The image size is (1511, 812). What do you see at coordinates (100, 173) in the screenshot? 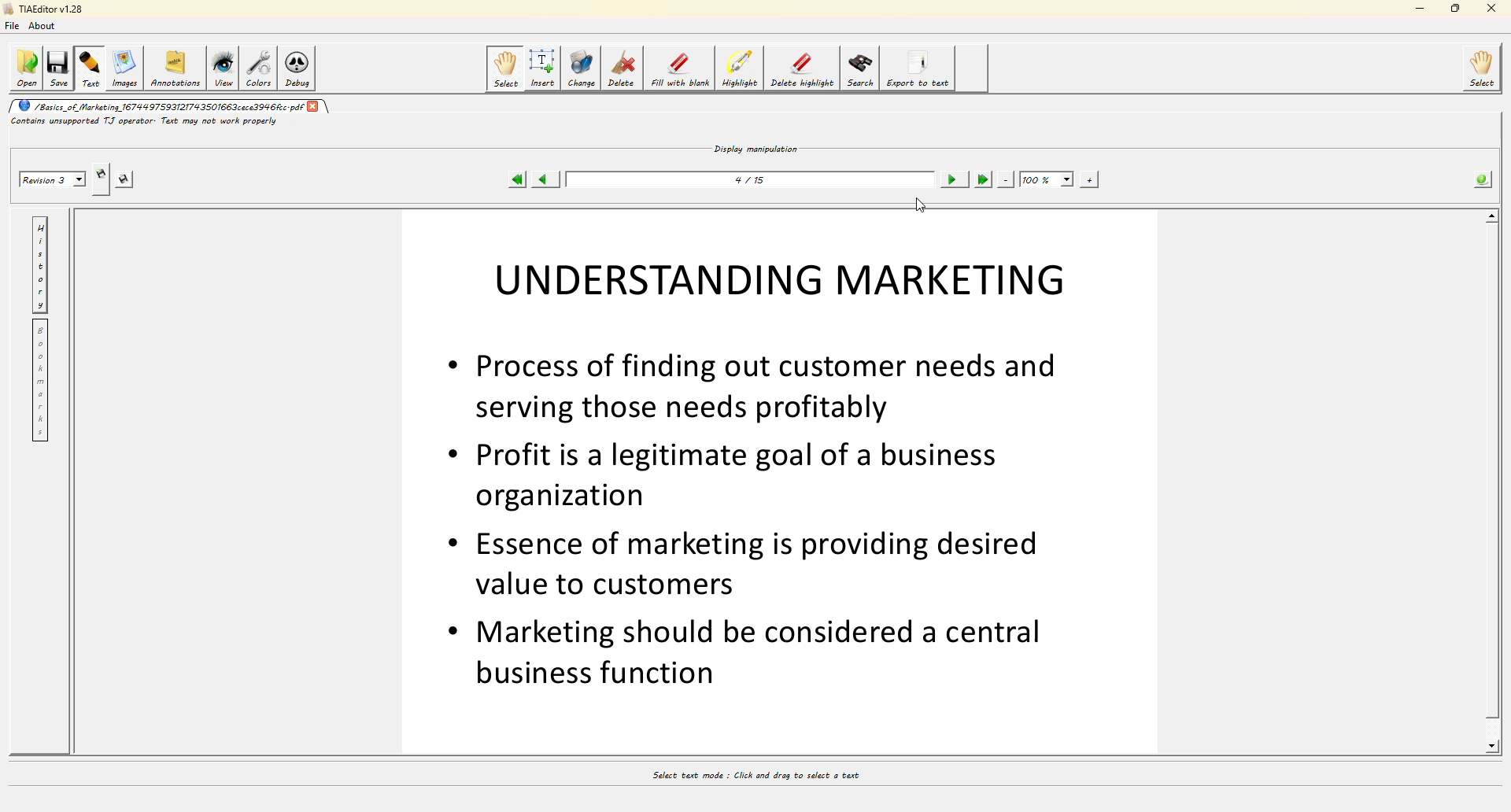
I see `create revision` at bounding box center [100, 173].